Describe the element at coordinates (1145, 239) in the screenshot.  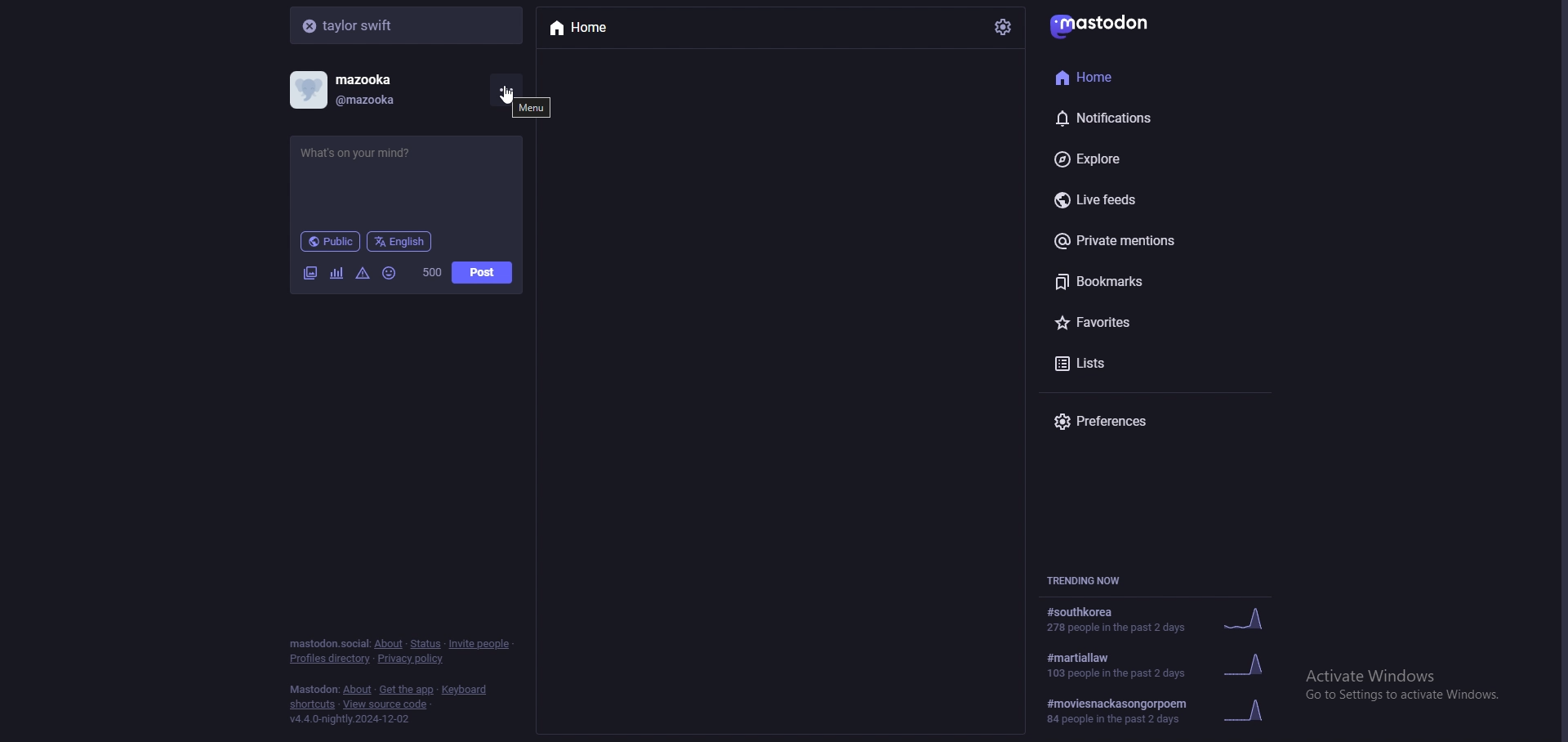
I see `private mentions` at that location.